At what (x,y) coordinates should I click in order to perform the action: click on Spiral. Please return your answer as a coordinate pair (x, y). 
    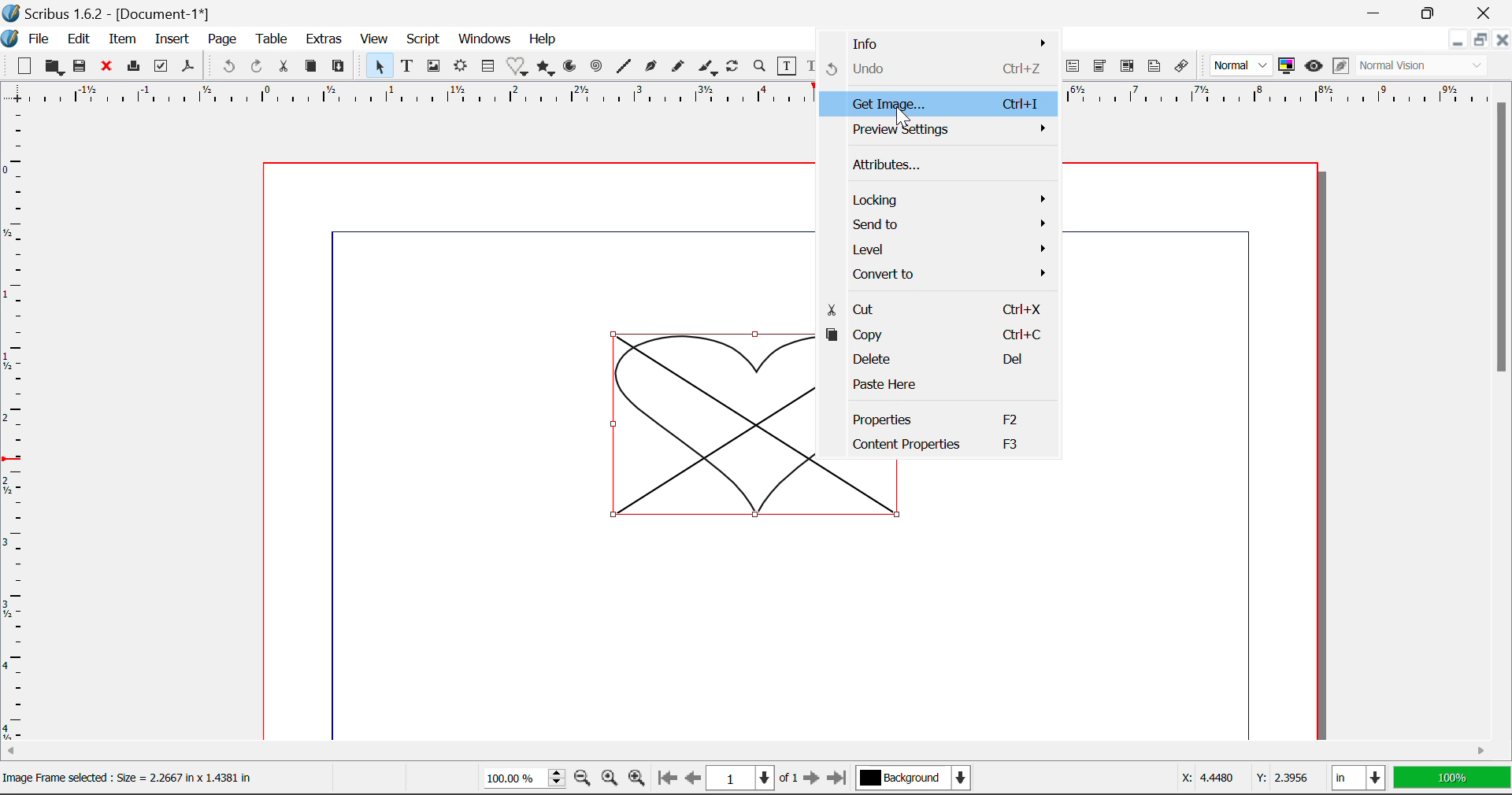
    Looking at the image, I should click on (597, 67).